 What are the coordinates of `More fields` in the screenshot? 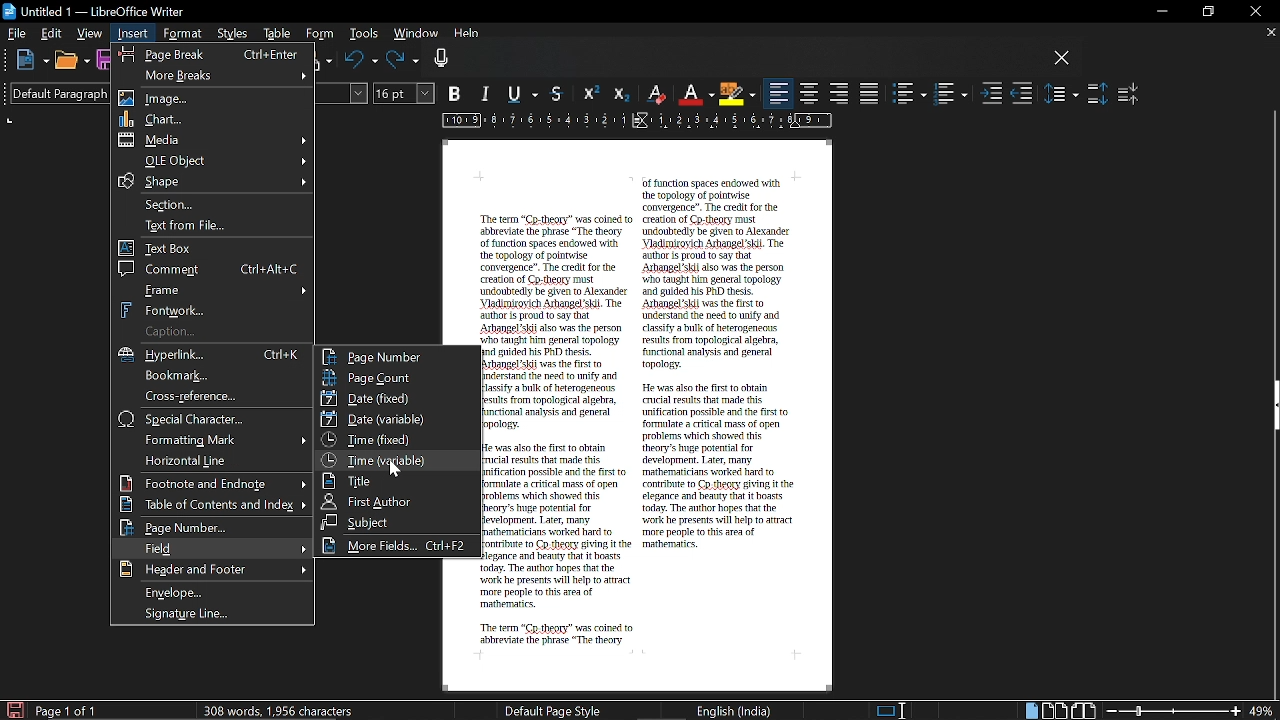 It's located at (398, 546).